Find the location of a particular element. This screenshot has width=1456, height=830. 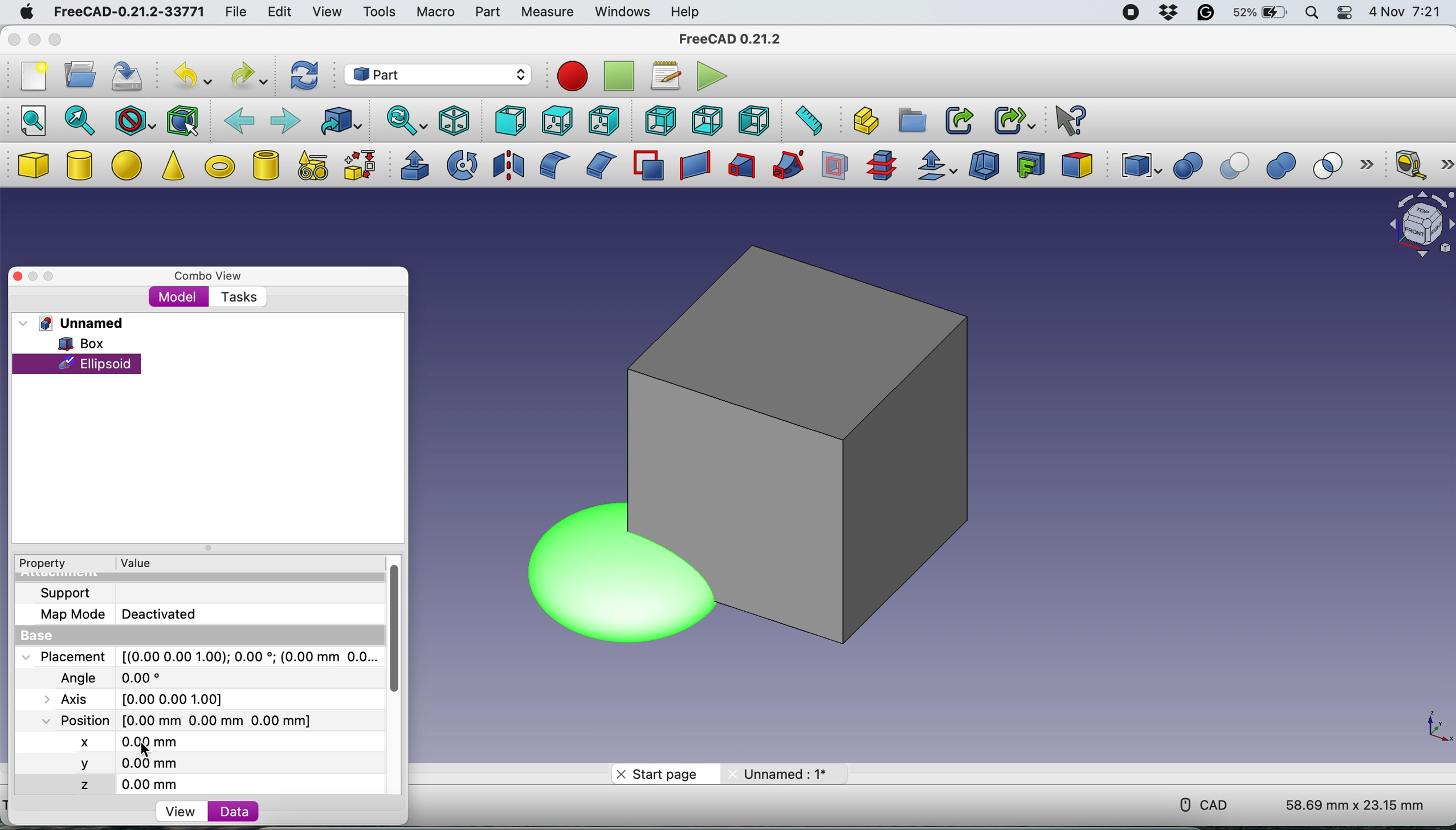

cut is located at coordinates (1237, 166).